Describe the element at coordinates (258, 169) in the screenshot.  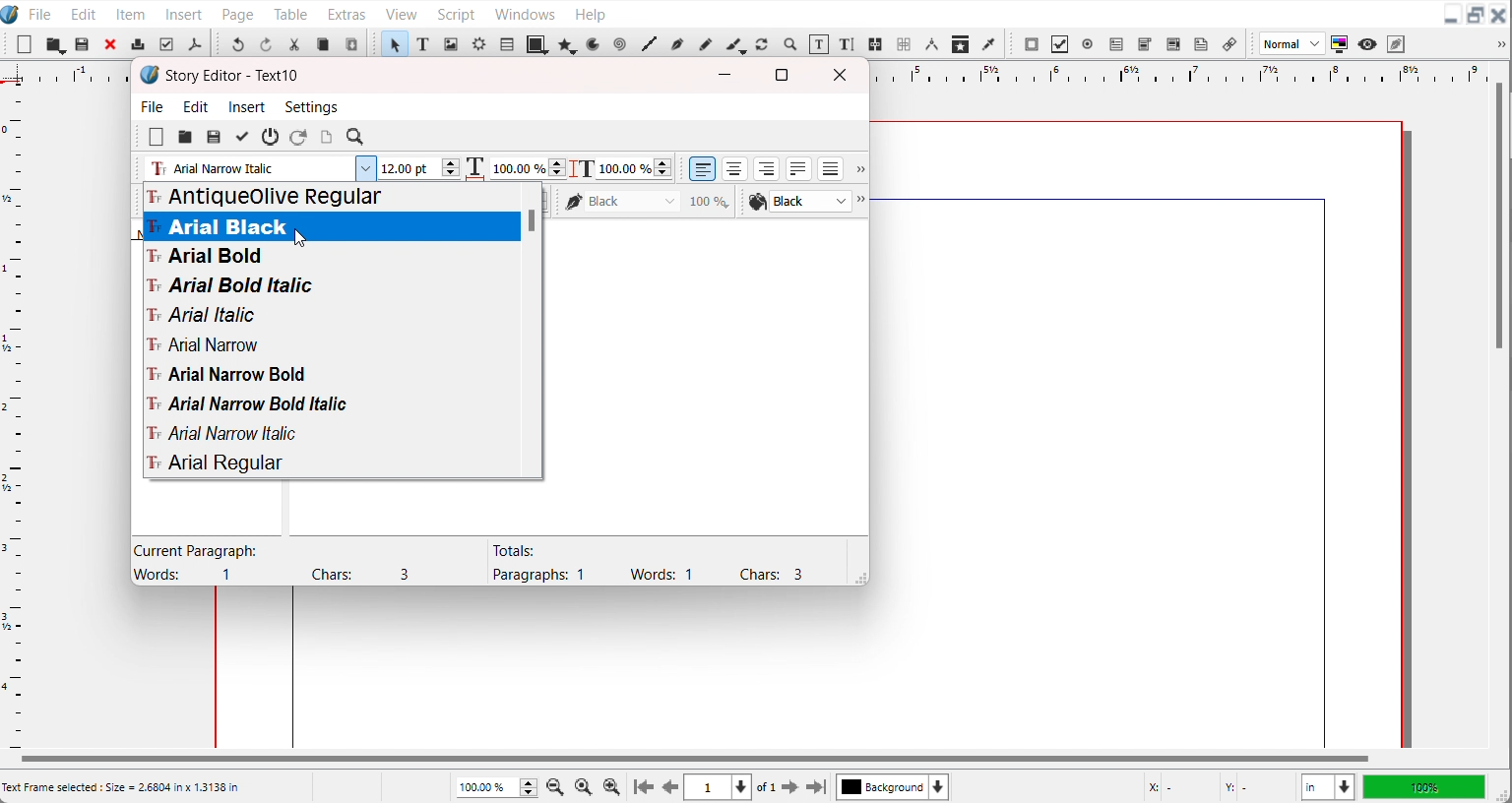
I see `Font type` at that location.